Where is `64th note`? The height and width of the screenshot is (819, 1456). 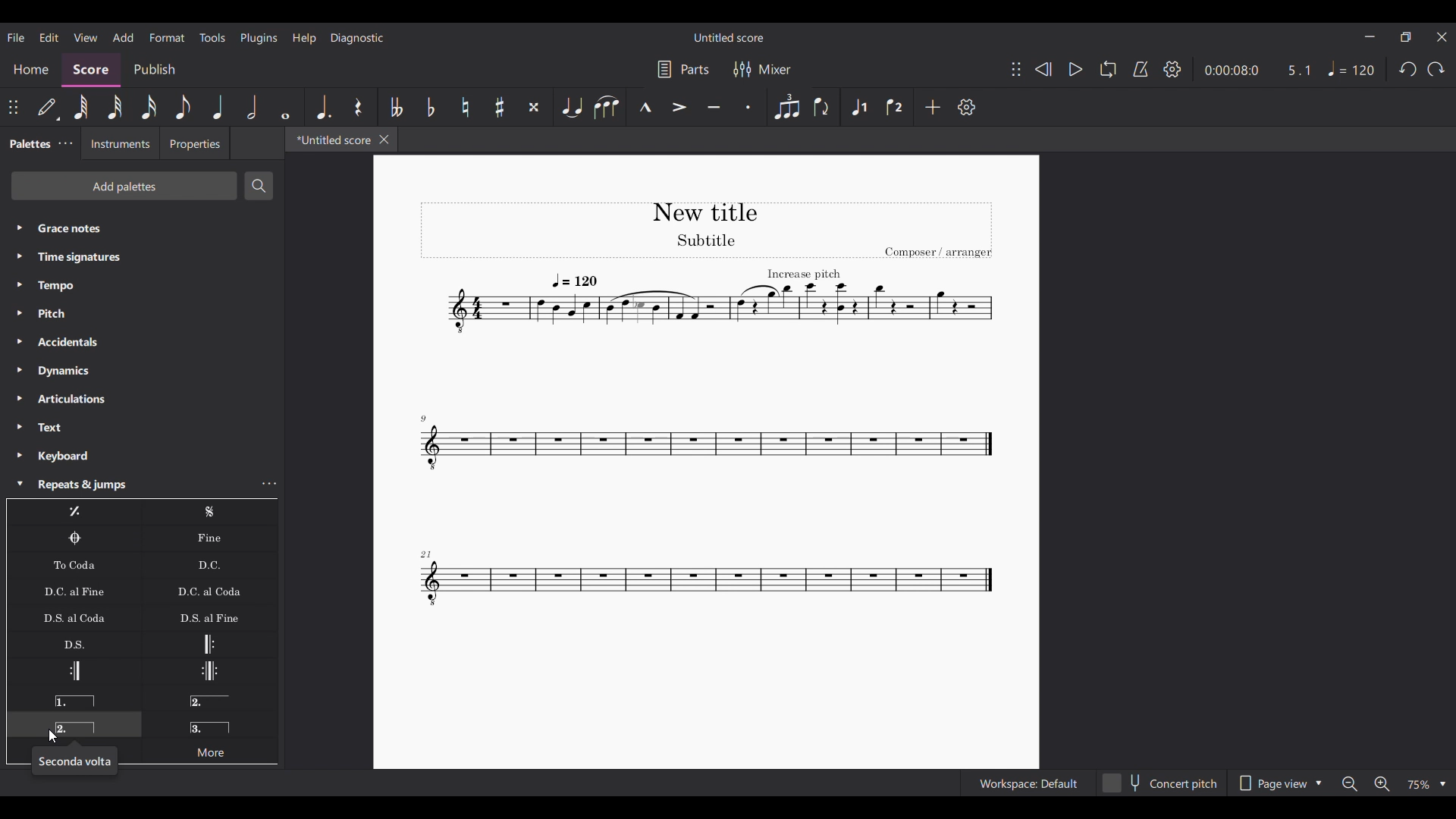 64th note is located at coordinates (80, 108).